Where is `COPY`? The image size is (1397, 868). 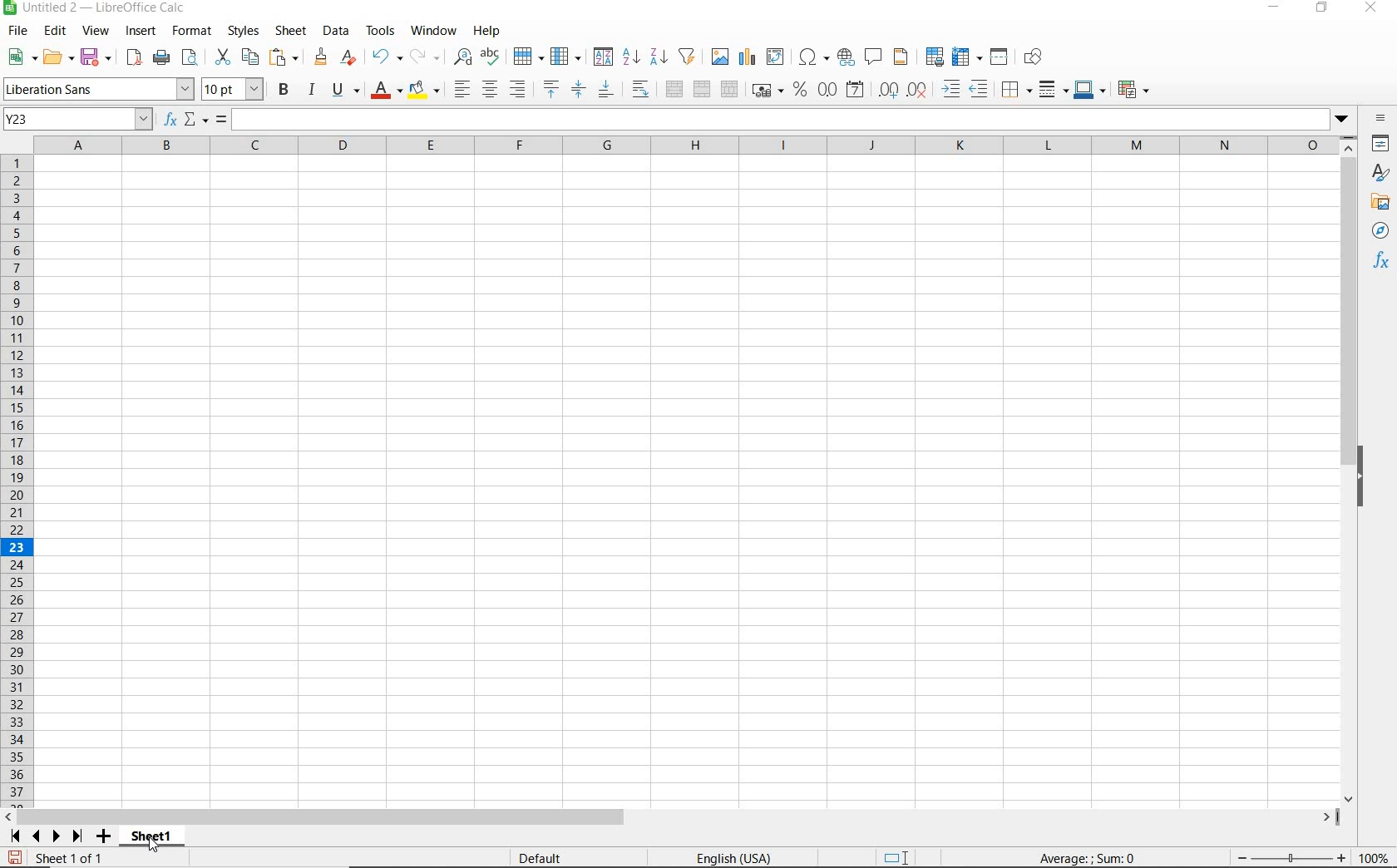 COPY is located at coordinates (250, 57).